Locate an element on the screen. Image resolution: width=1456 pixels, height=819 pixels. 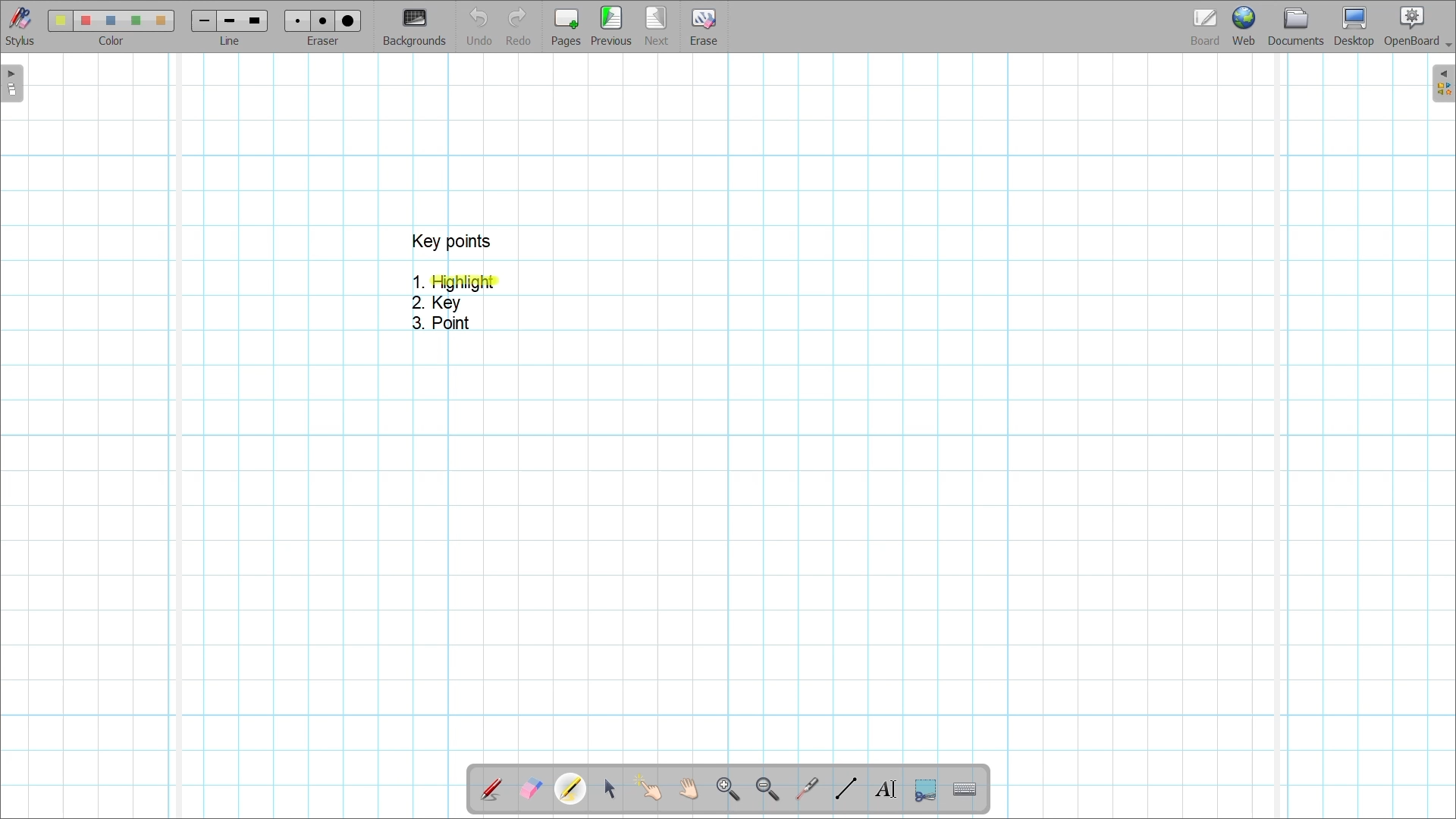
Eraser 1 is located at coordinates (297, 20).